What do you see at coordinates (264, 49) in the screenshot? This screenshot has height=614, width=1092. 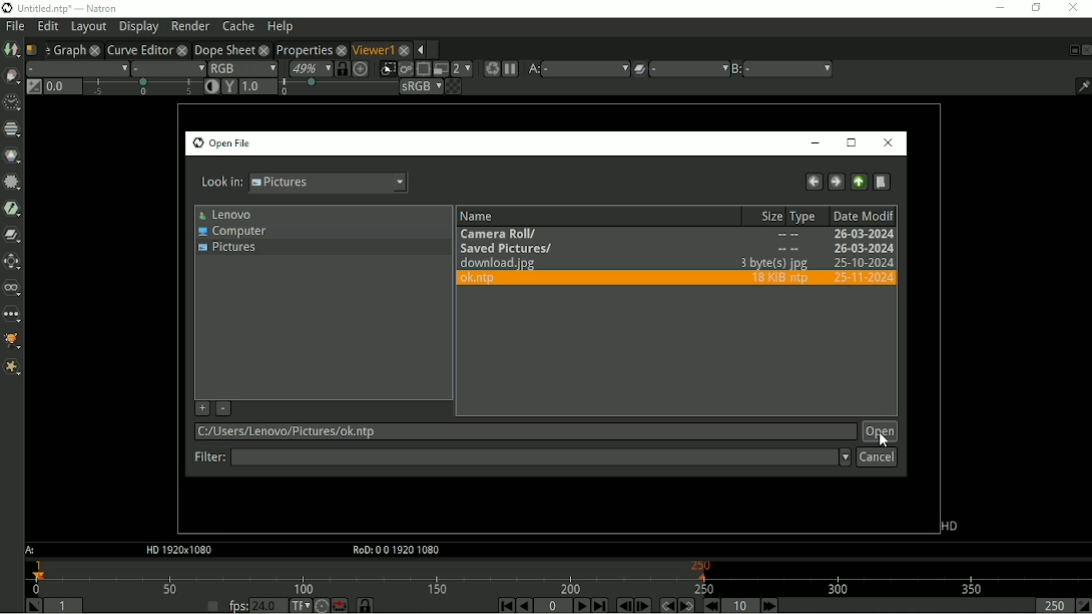 I see `close` at bounding box center [264, 49].